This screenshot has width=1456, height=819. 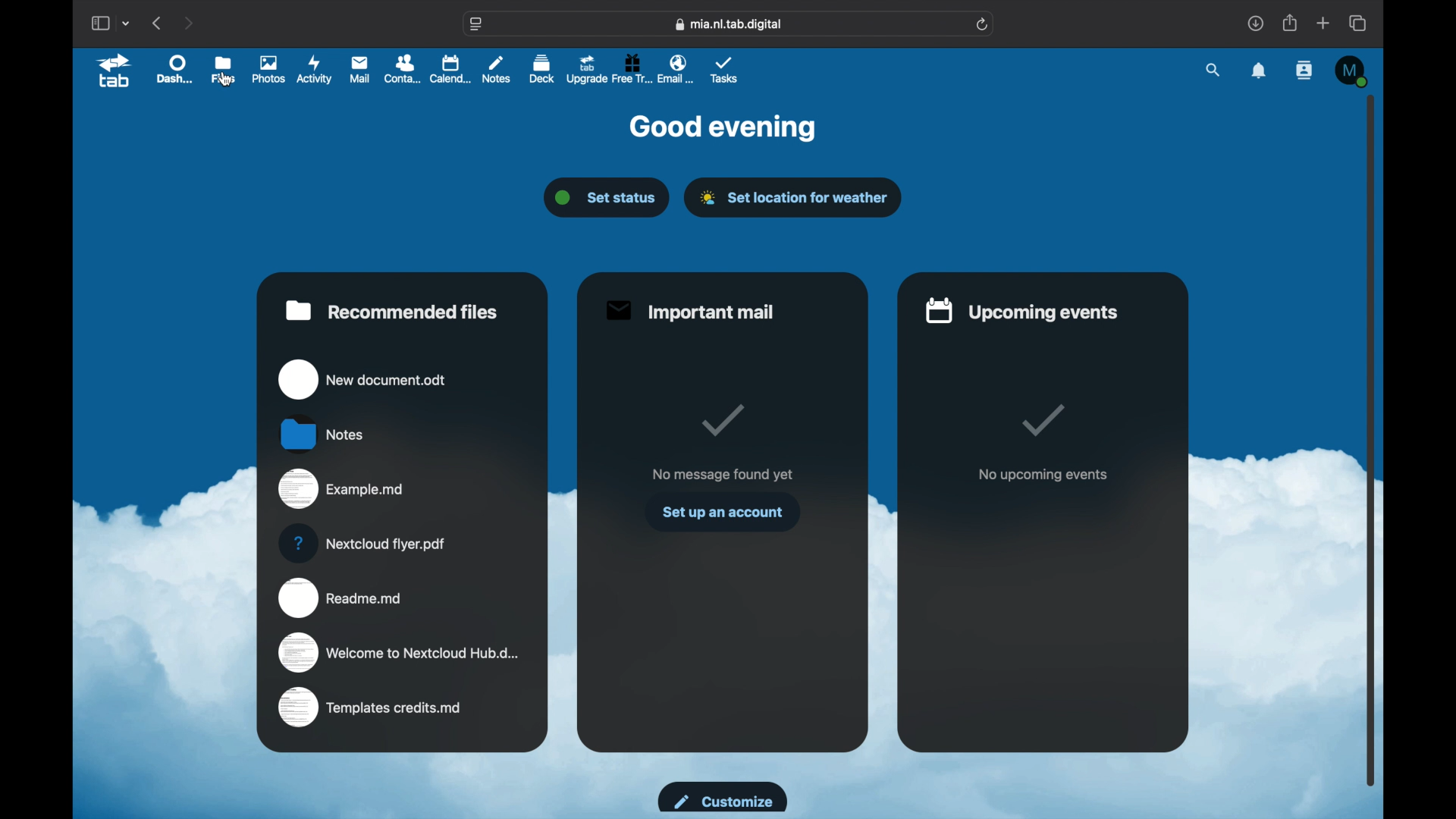 What do you see at coordinates (1353, 71) in the screenshot?
I see `M` at bounding box center [1353, 71].